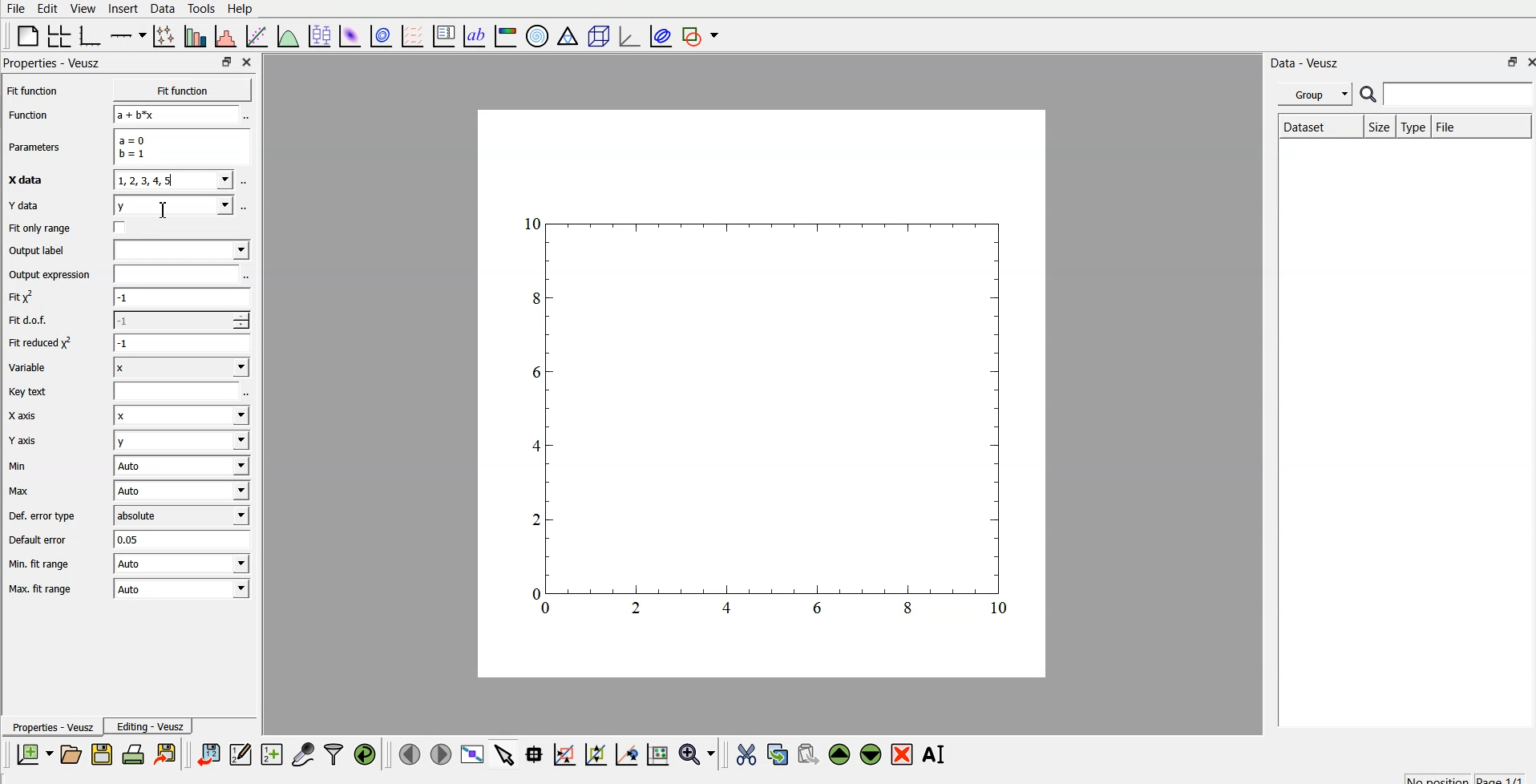  What do you see at coordinates (629, 755) in the screenshot?
I see `click to recenter graph axes` at bounding box center [629, 755].